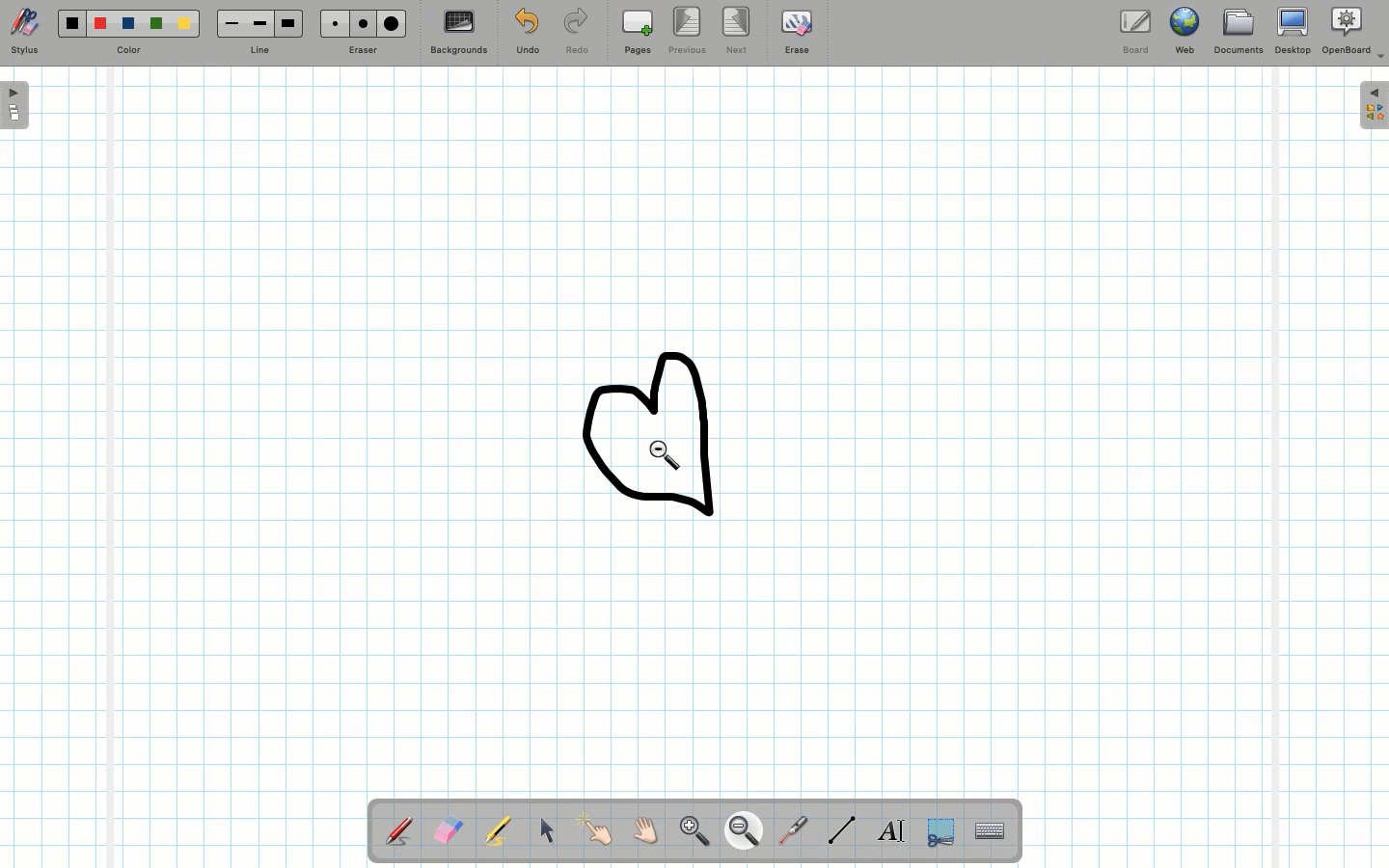  I want to click on Grab, so click(646, 830).